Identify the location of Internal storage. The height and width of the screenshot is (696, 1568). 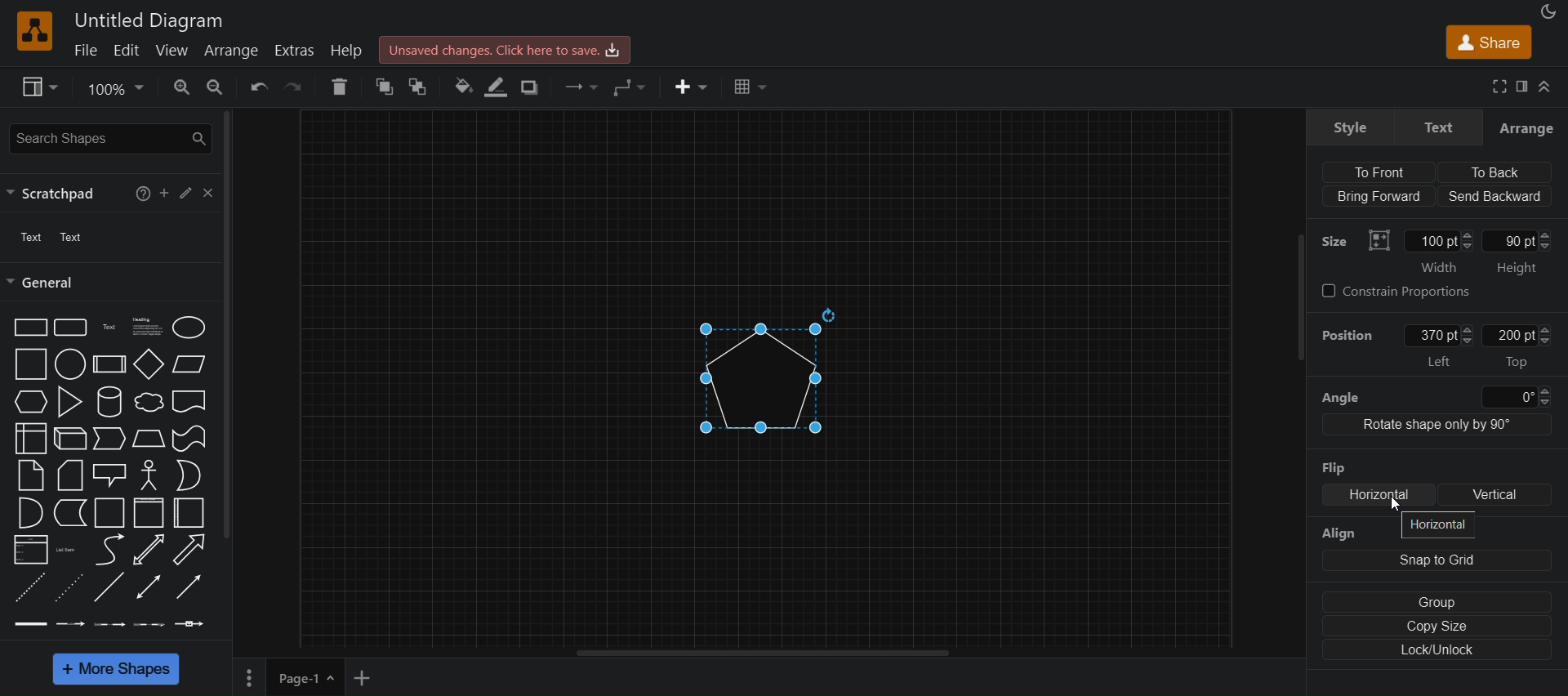
(30, 439).